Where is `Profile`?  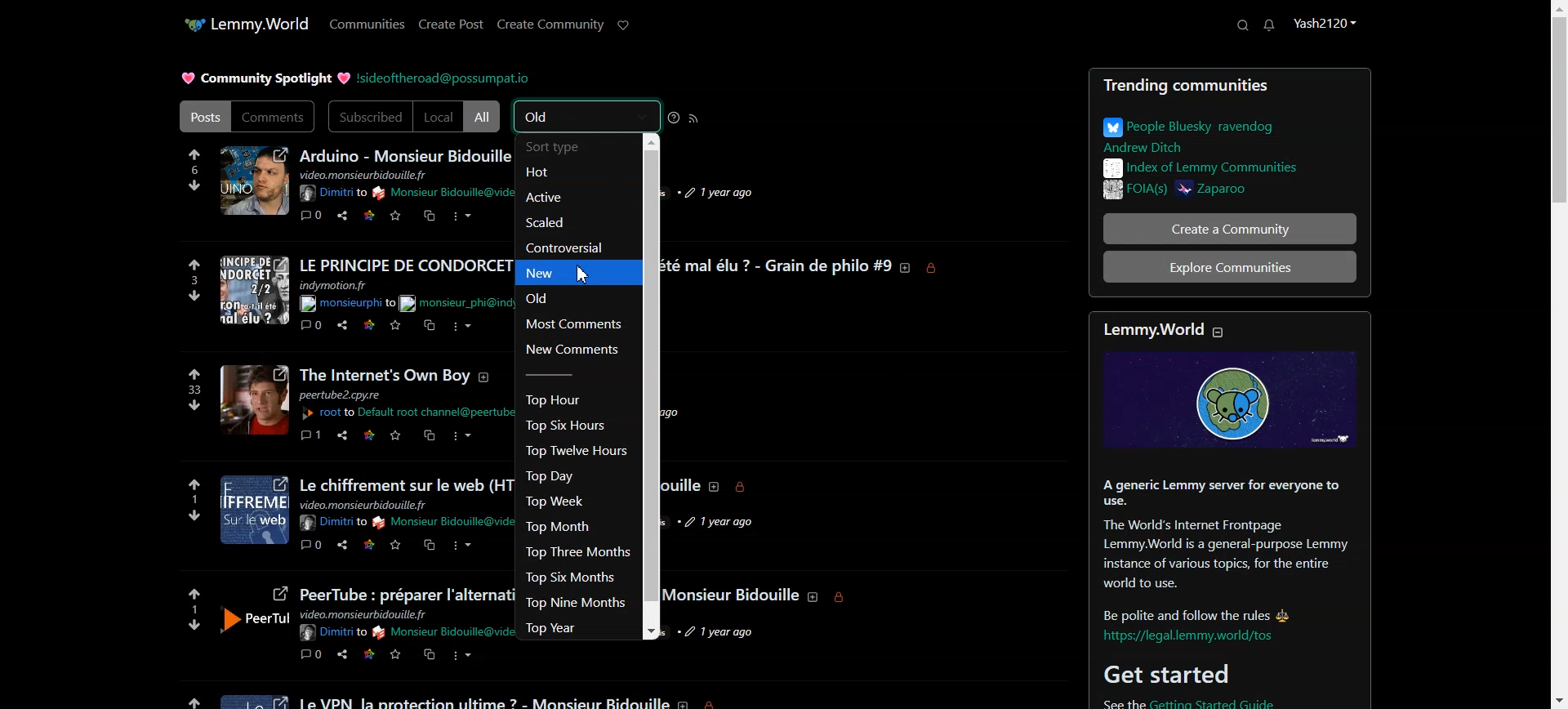 Profile is located at coordinates (1325, 25).